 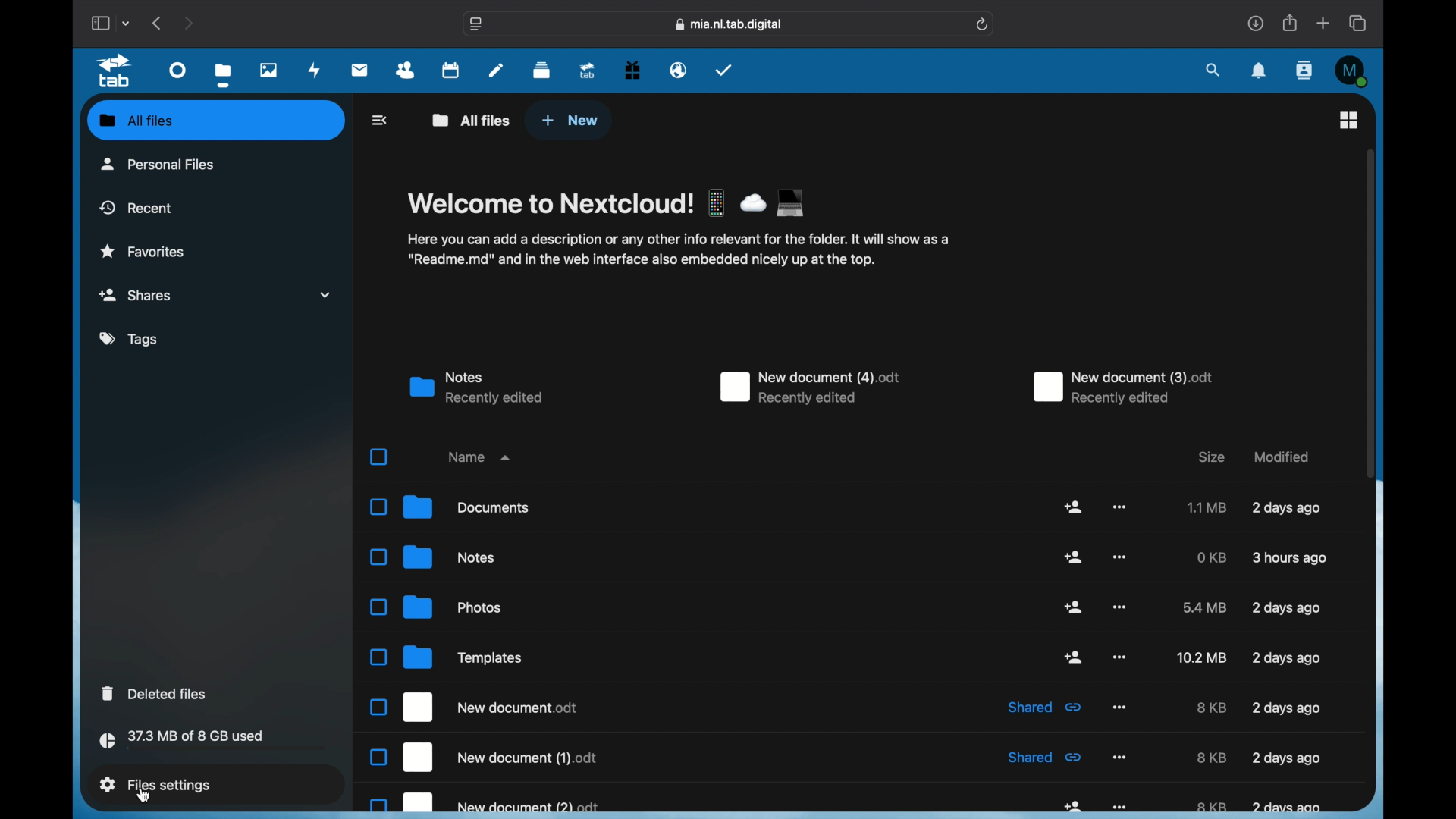 I want to click on more options, so click(x=1119, y=608).